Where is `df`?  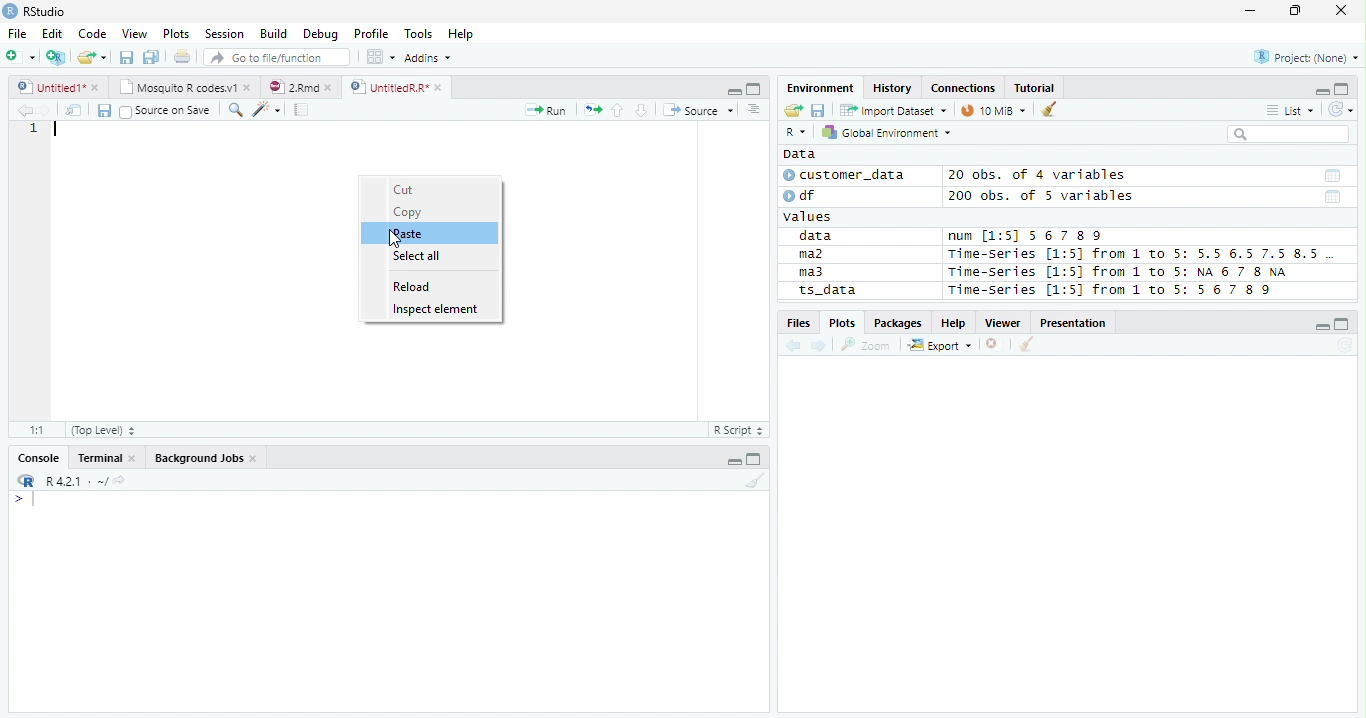 df is located at coordinates (806, 195).